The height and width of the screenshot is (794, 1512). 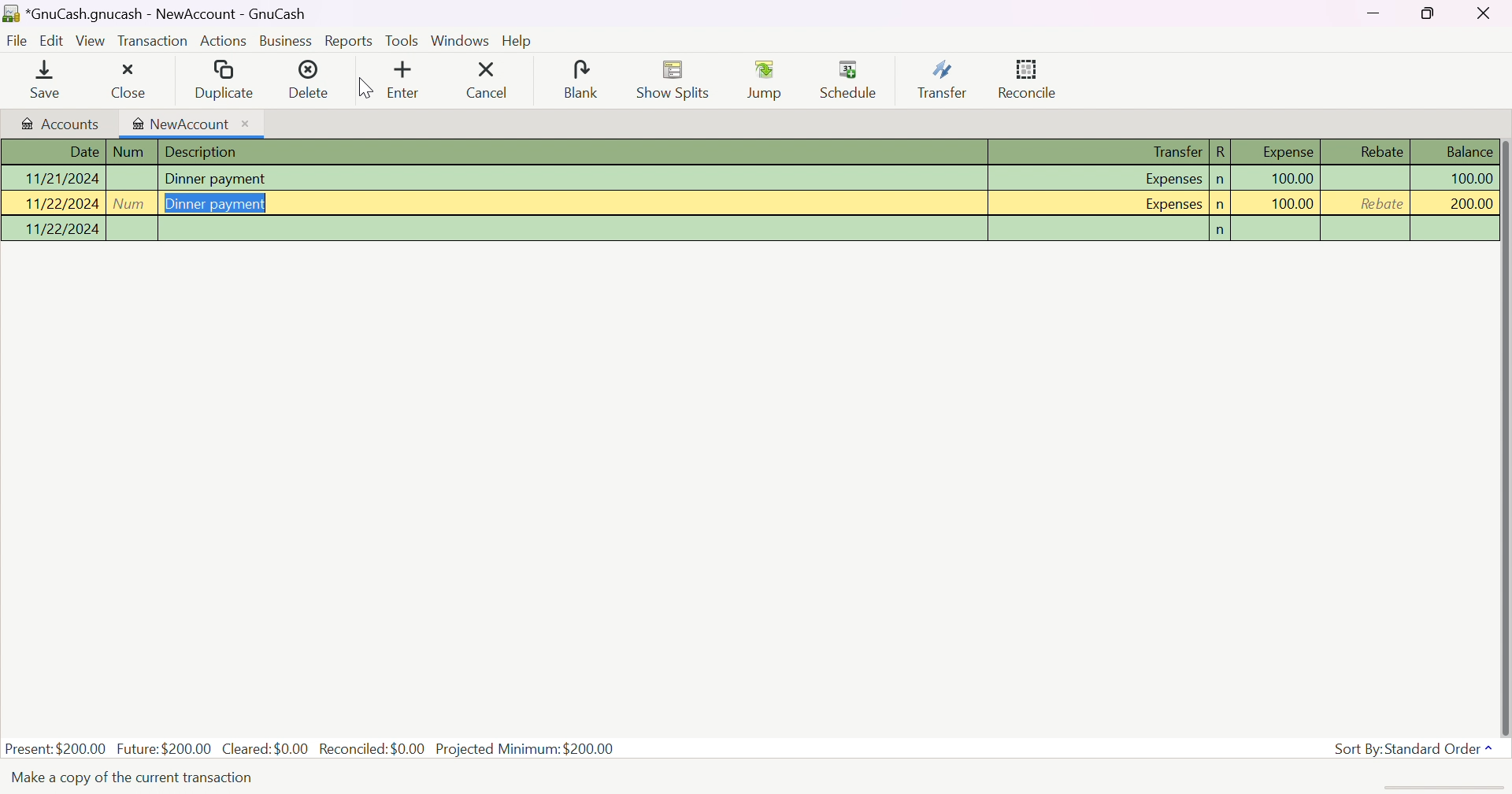 I want to click on 100.00, so click(x=1462, y=179).